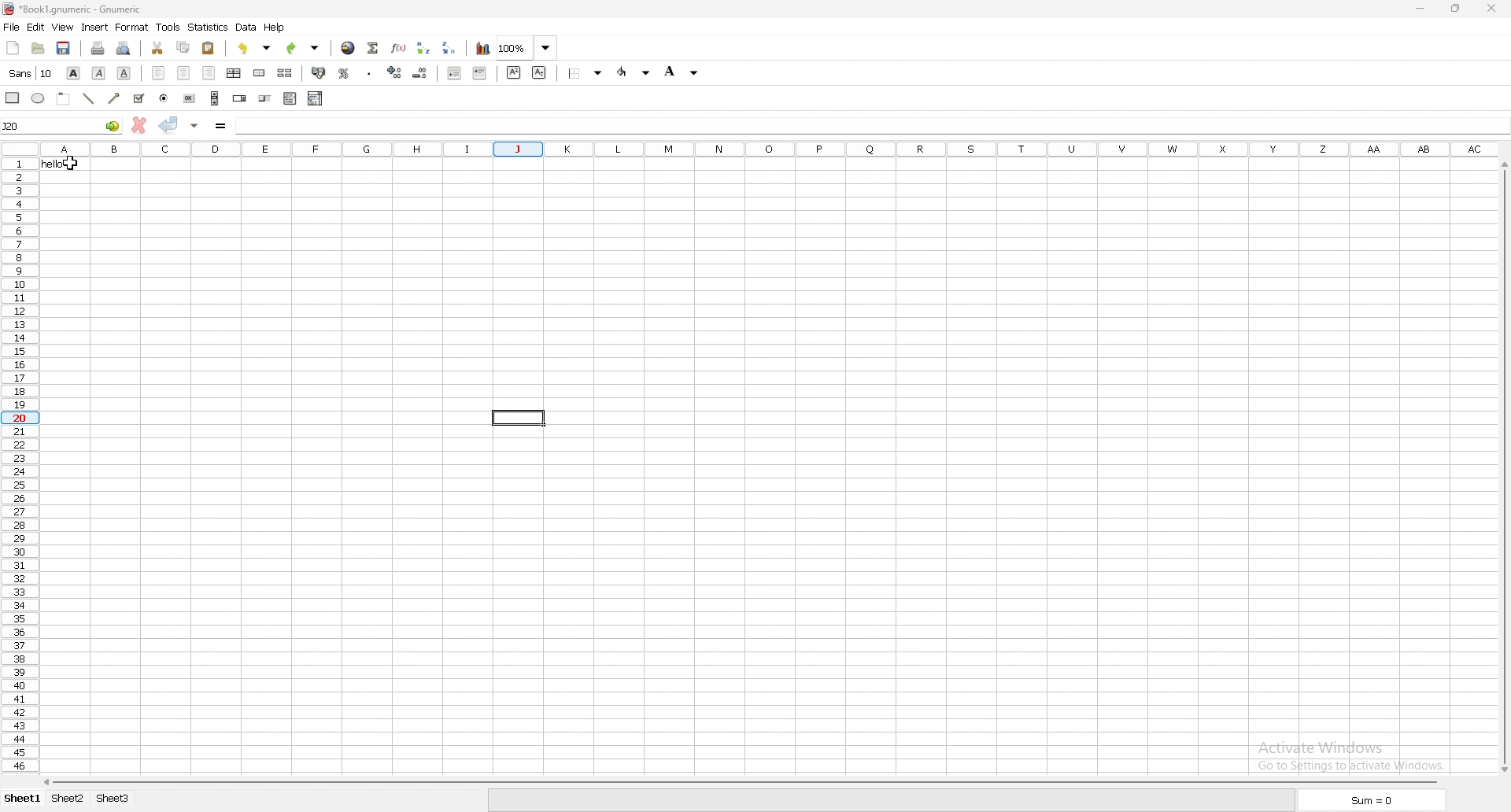 This screenshot has width=1511, height=812. What do you see at coordinates (514, 73) in the screenshot?
I see `superscript` at bounding box center [514, 73].